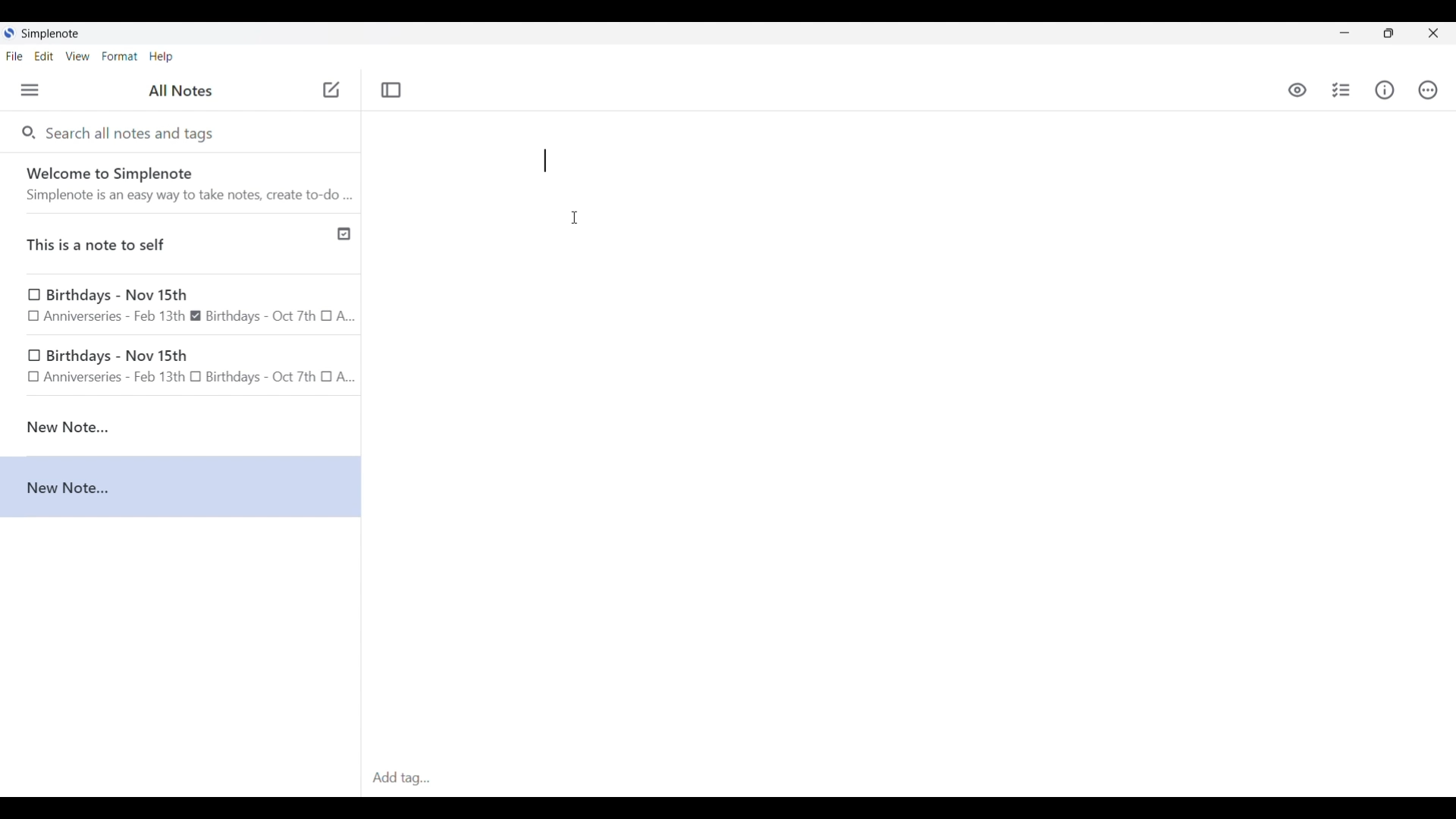 This screenshot has width=1456, height=819. What do you see at coordinates (908, 779) in the screenshot?
I see `Click to type in tags` at bounding box center [908, 779].